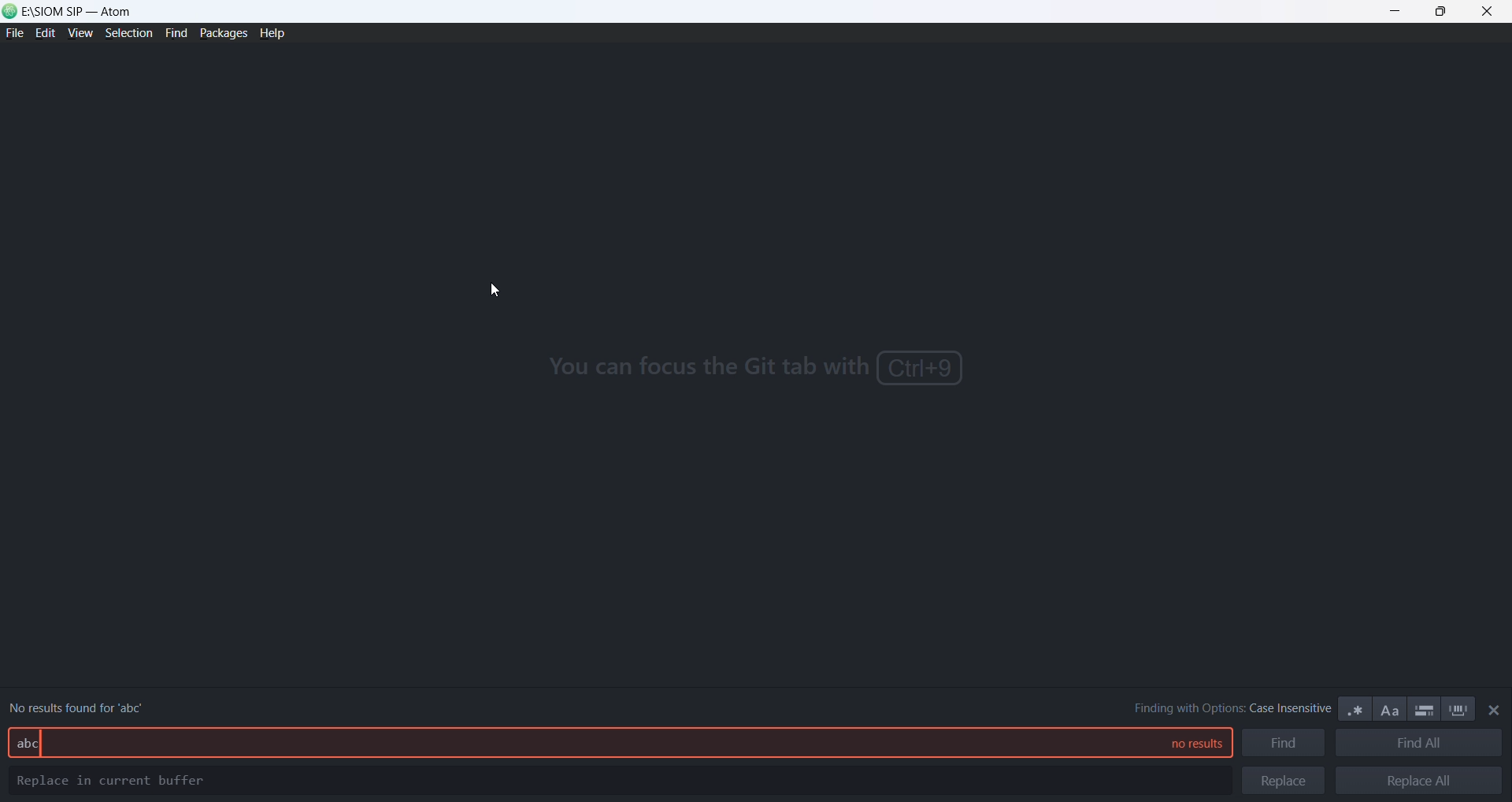 Image resolution: width=1512 pixels, height=802 pixels. Describe the element at coordinates (1488, 13) in the screenshot. I see `close` at that location.